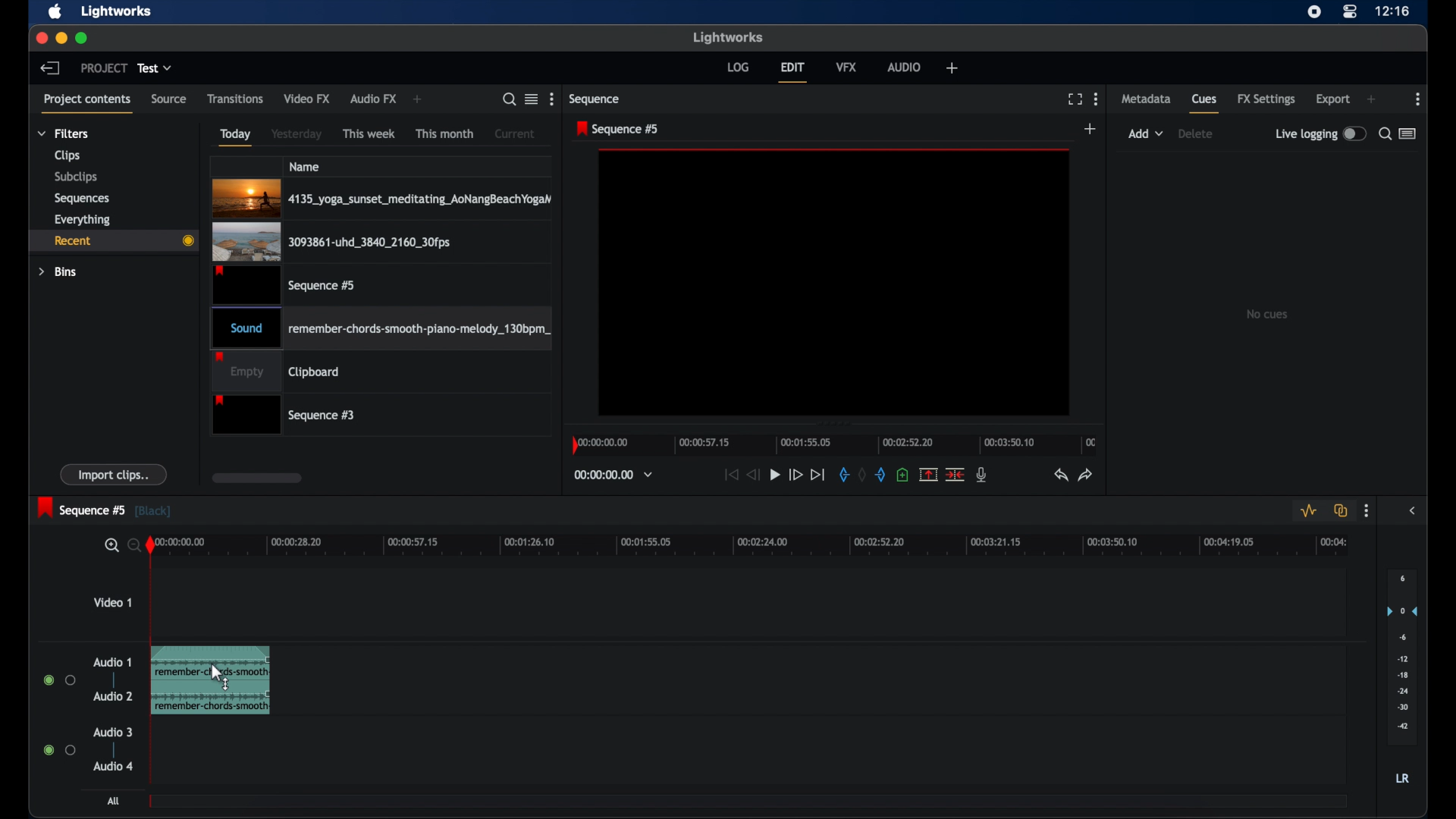 Image resolution: width=1456 pixels, height=819 pixels. What do you see at coordinates (1313, 11) in the screenshot?
I see `screen recorder icon` at bounding box center [1313, 11].